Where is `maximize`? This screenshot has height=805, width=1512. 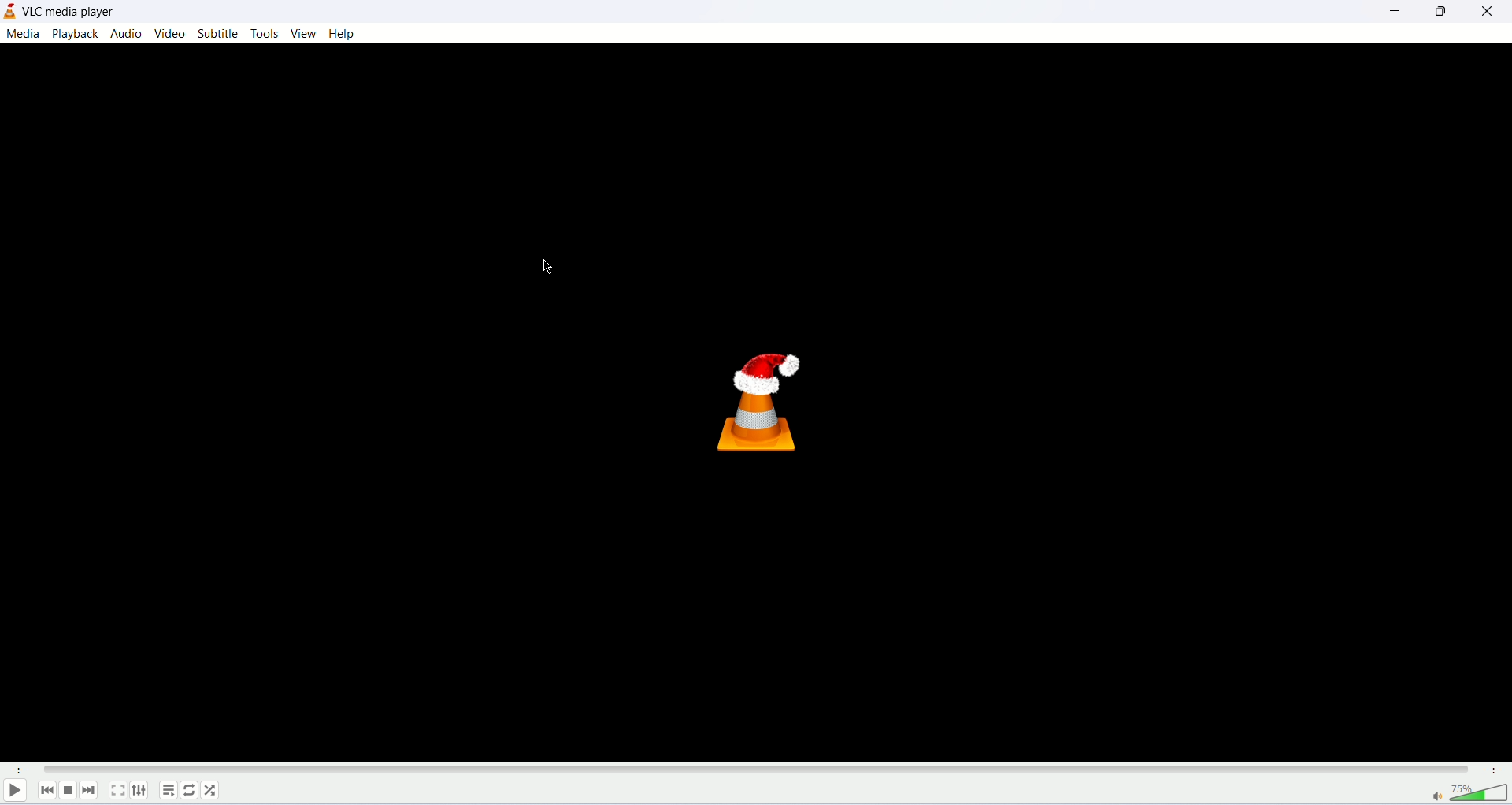 maximize is located at coordinates (1439, 15).